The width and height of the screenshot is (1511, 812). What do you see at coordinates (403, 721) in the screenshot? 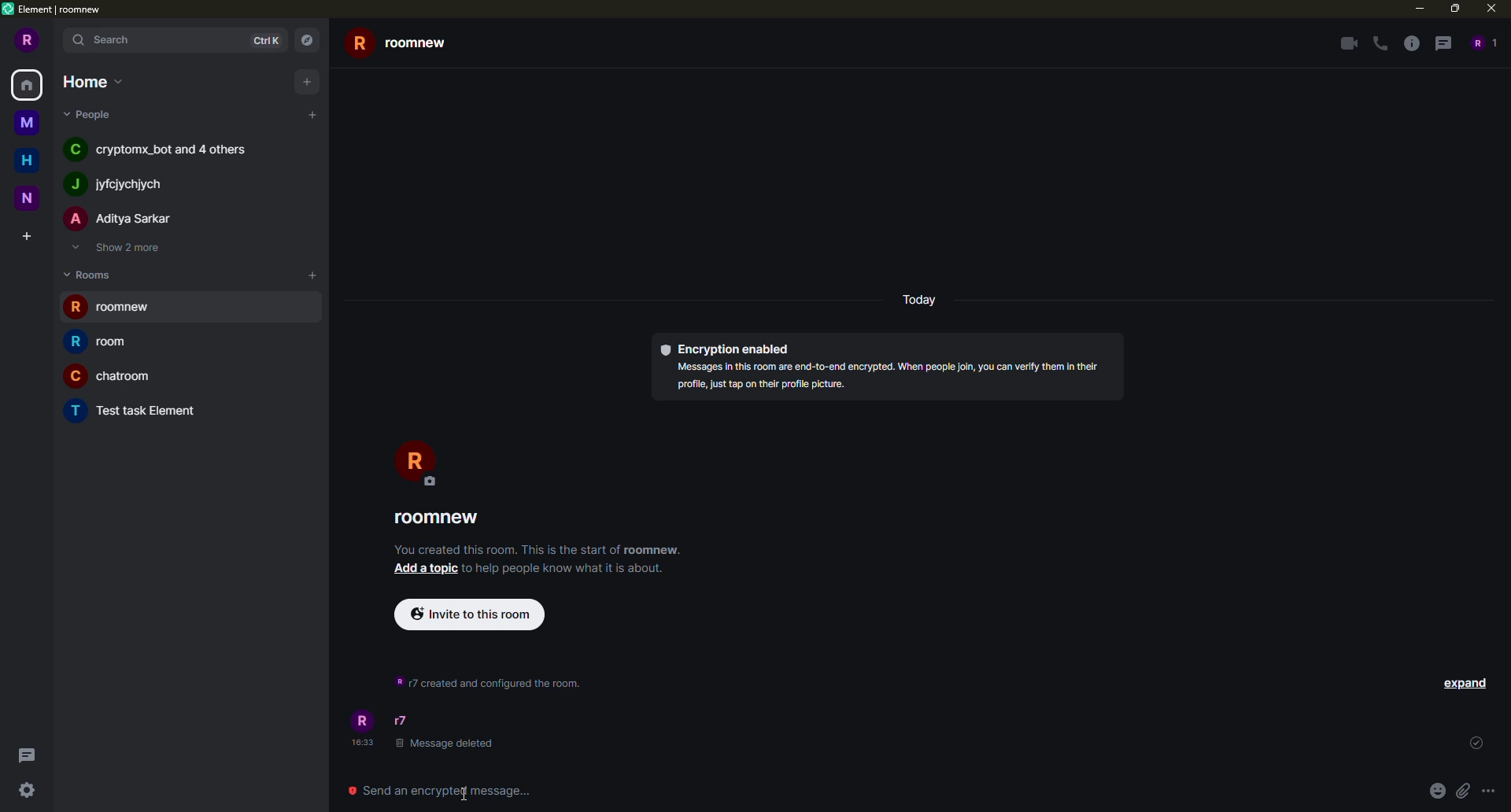
I see `r7` at bounding box center [403, 721].